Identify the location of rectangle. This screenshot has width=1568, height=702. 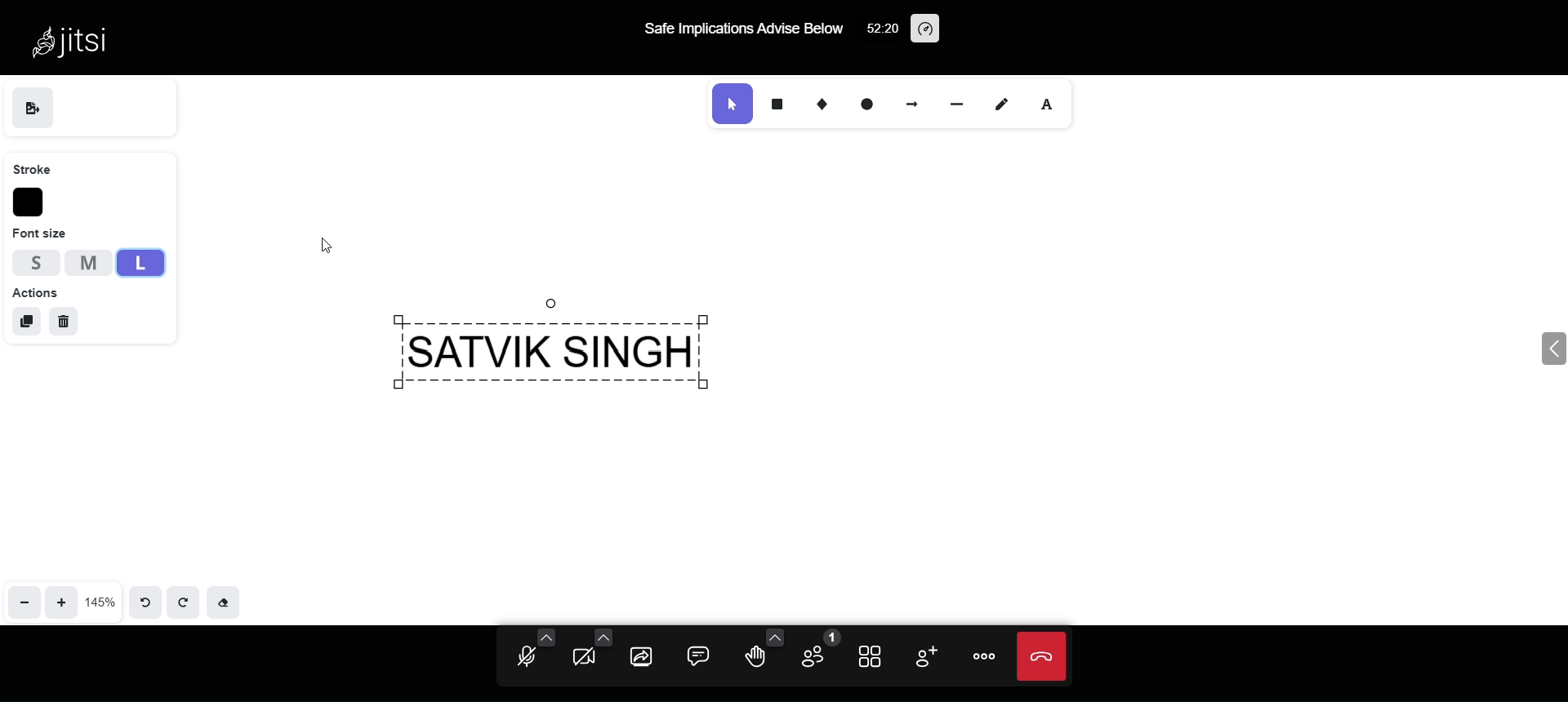
(777, 104).